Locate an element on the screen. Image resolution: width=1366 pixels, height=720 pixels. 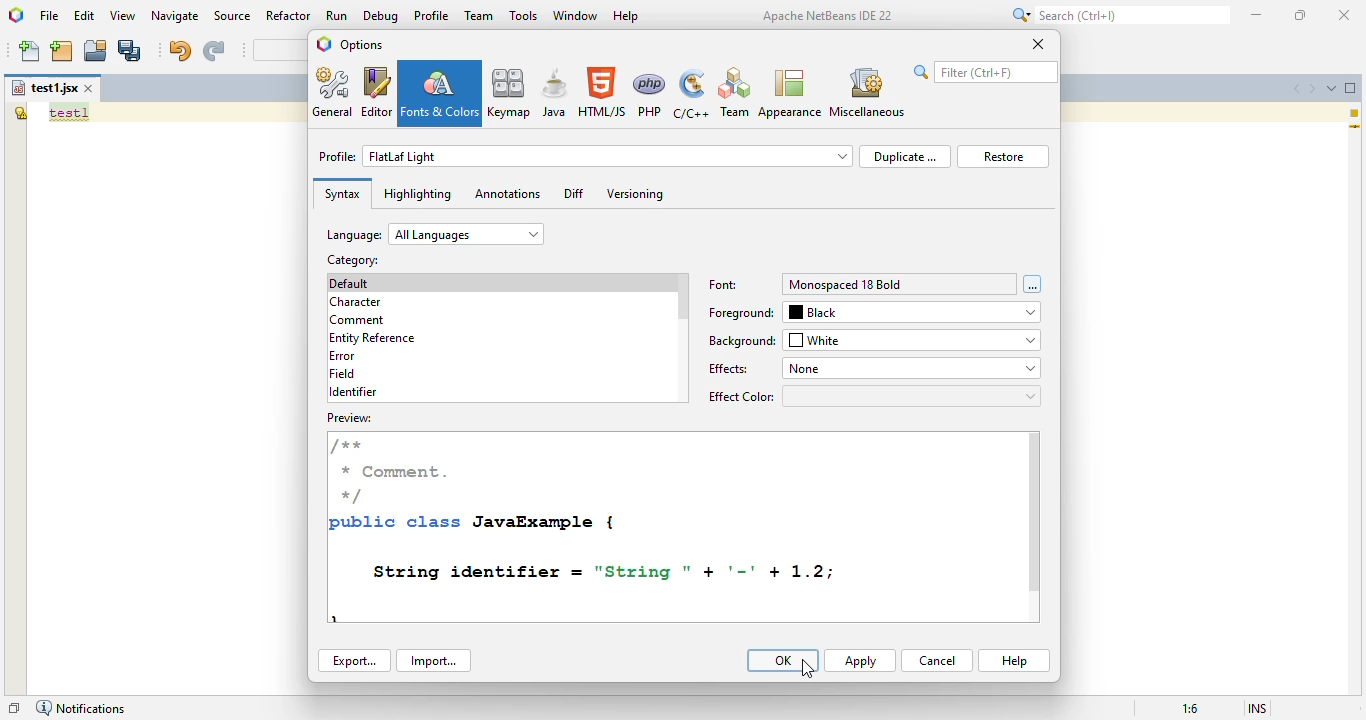
close is located at coordinates (1343, 14).